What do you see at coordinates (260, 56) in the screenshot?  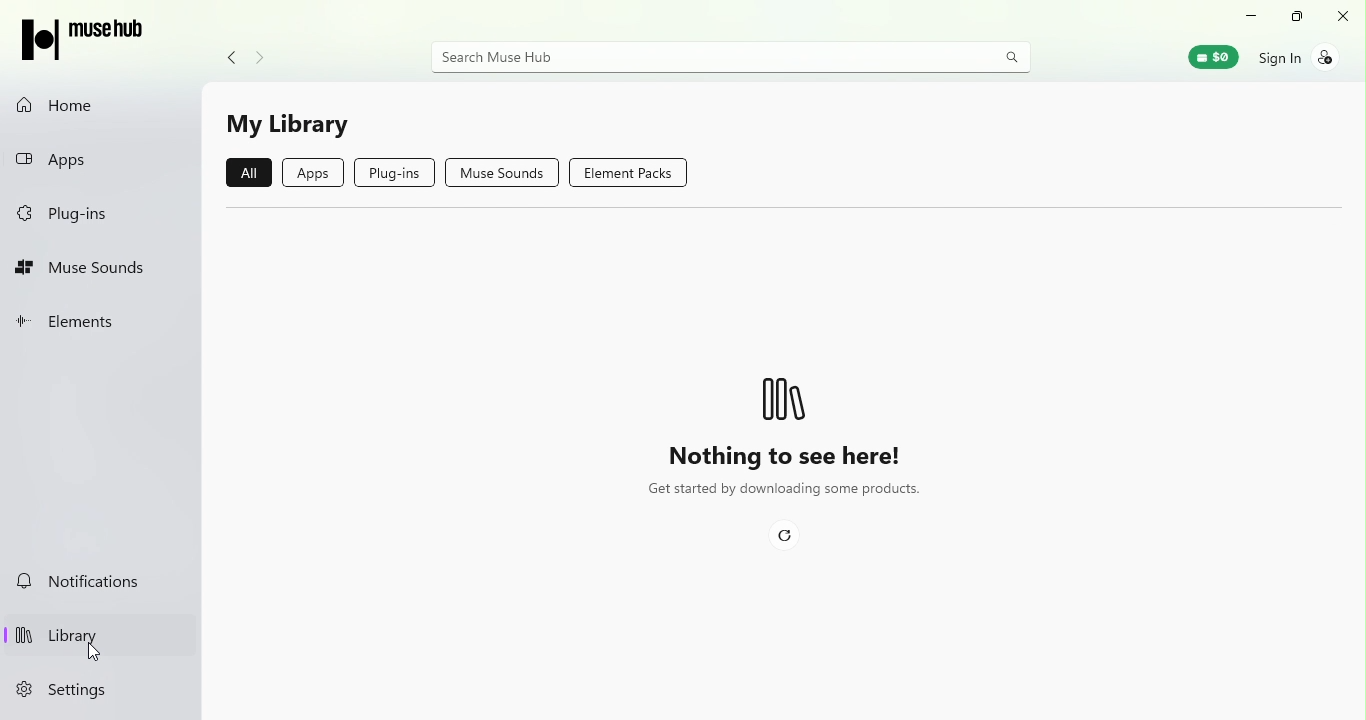 I see `Navigate forward` at bounding box center [260, 56].